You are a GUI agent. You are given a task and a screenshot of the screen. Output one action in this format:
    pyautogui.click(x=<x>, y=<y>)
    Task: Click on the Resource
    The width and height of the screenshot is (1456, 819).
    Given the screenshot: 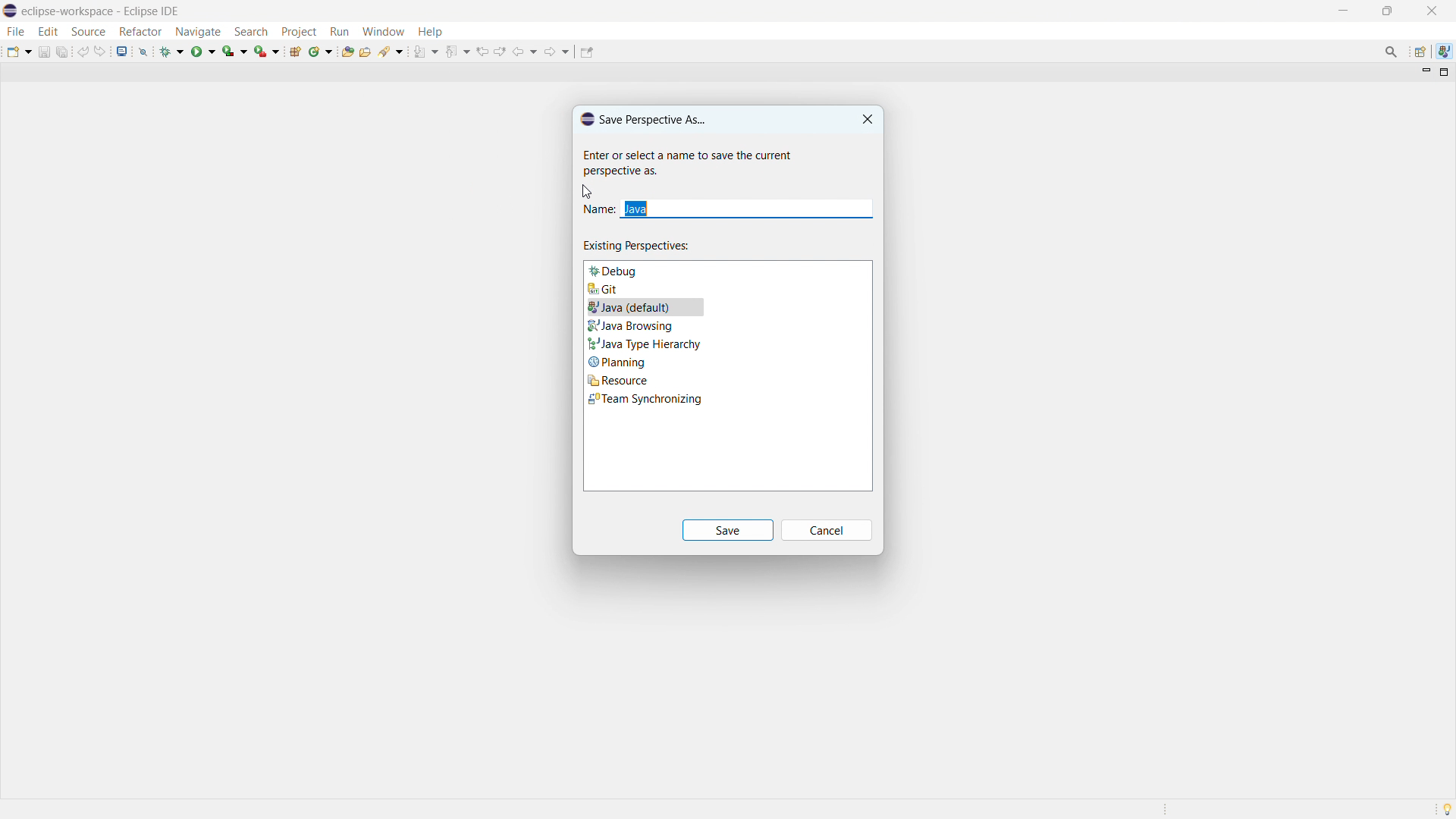 What is the action you would take?
    pyautogui.click(x=727, y=380)
    